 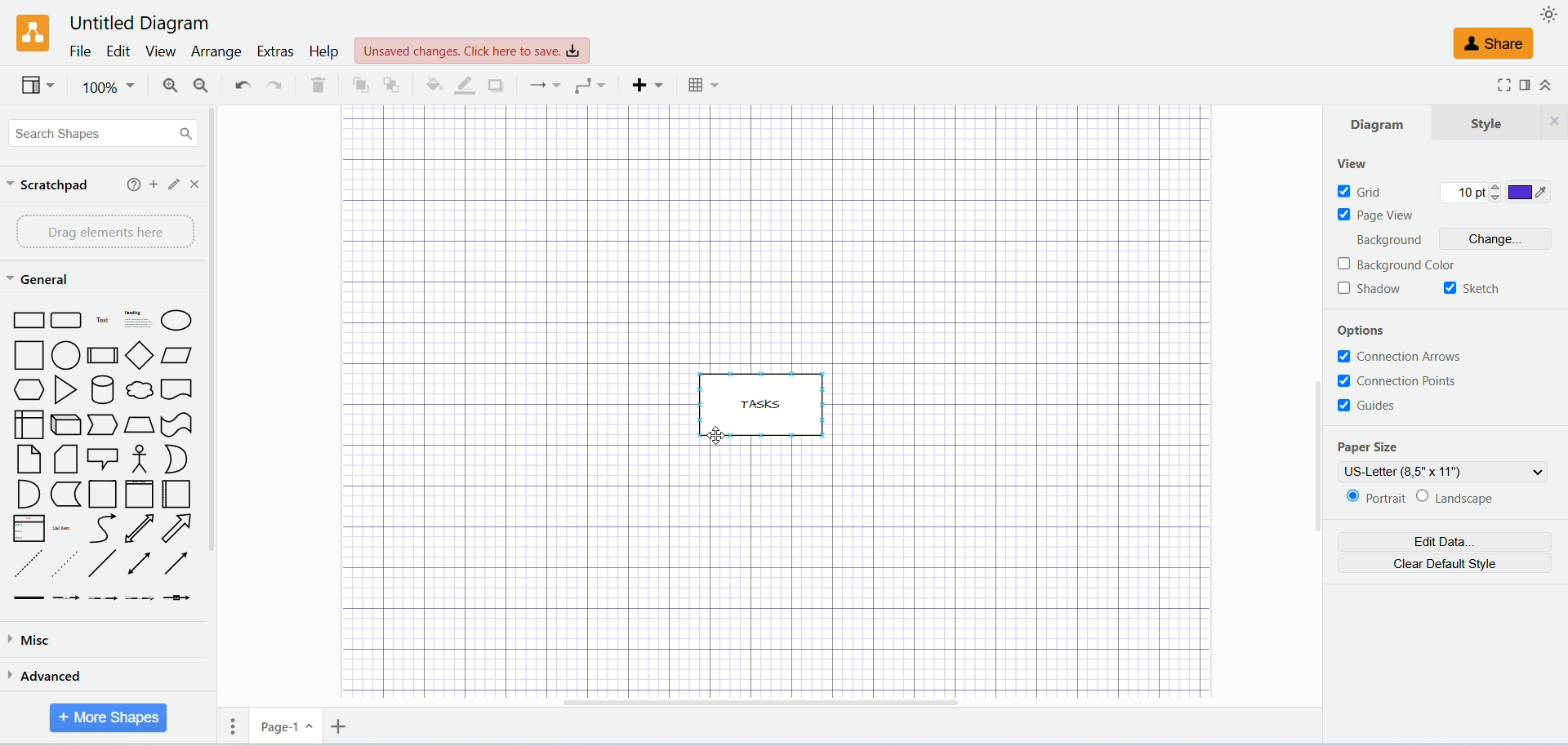 I want to click on search shapes, so click(x=100, y=132).